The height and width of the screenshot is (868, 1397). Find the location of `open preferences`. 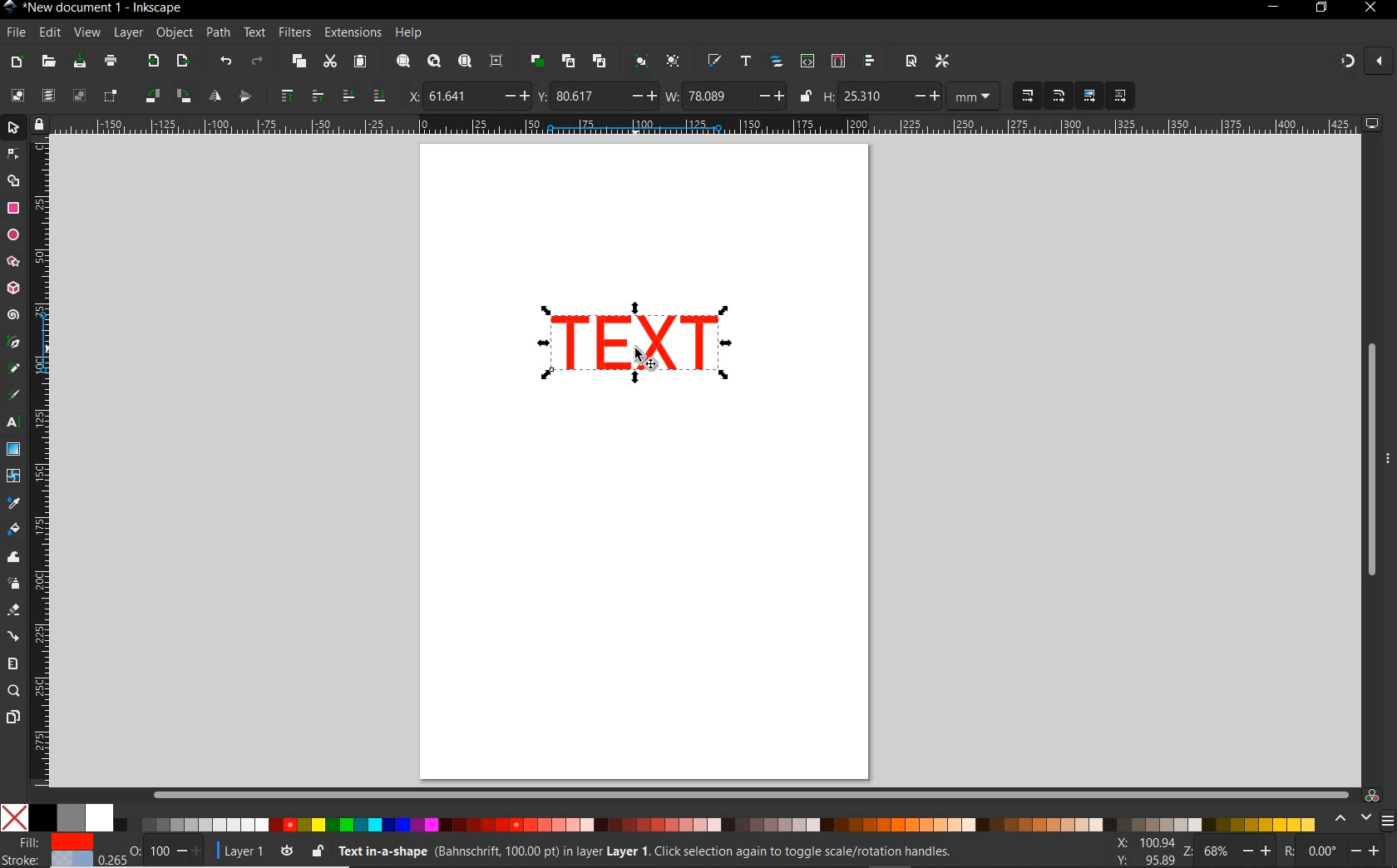

open preferences is located at coordinates (943, 60).